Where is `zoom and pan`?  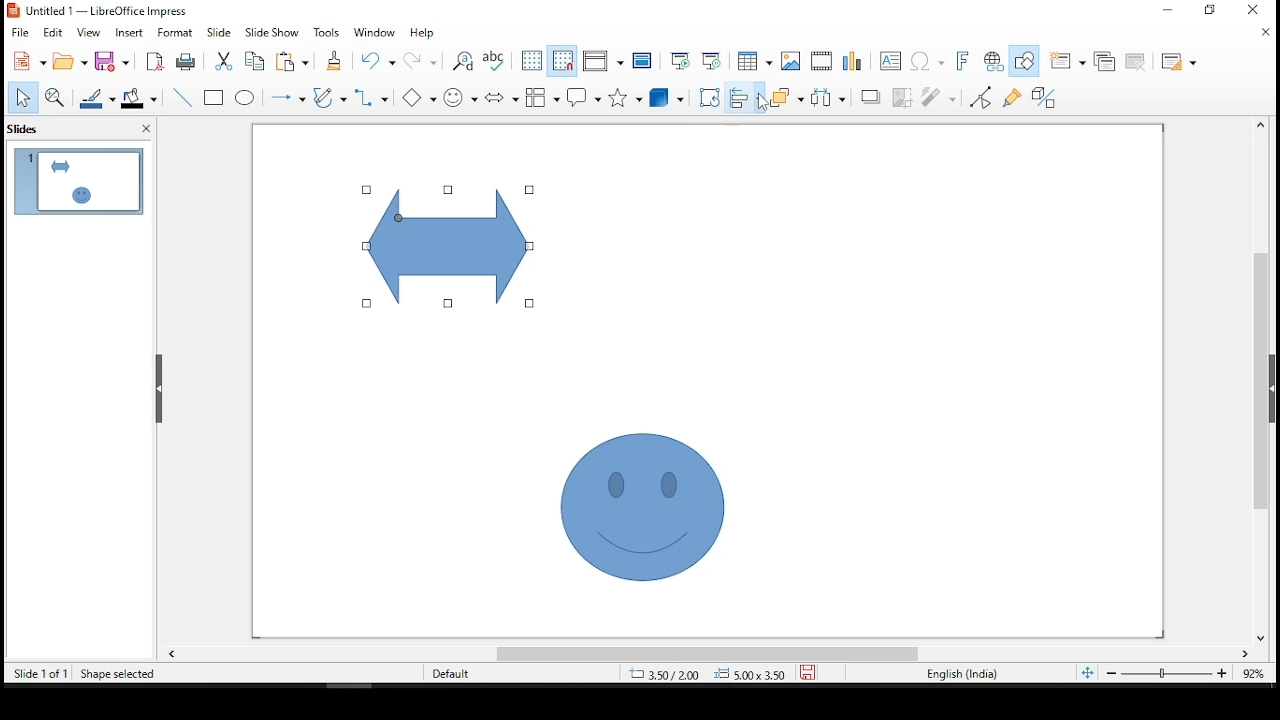 zoom and pan is located at coordinates (53, 95).